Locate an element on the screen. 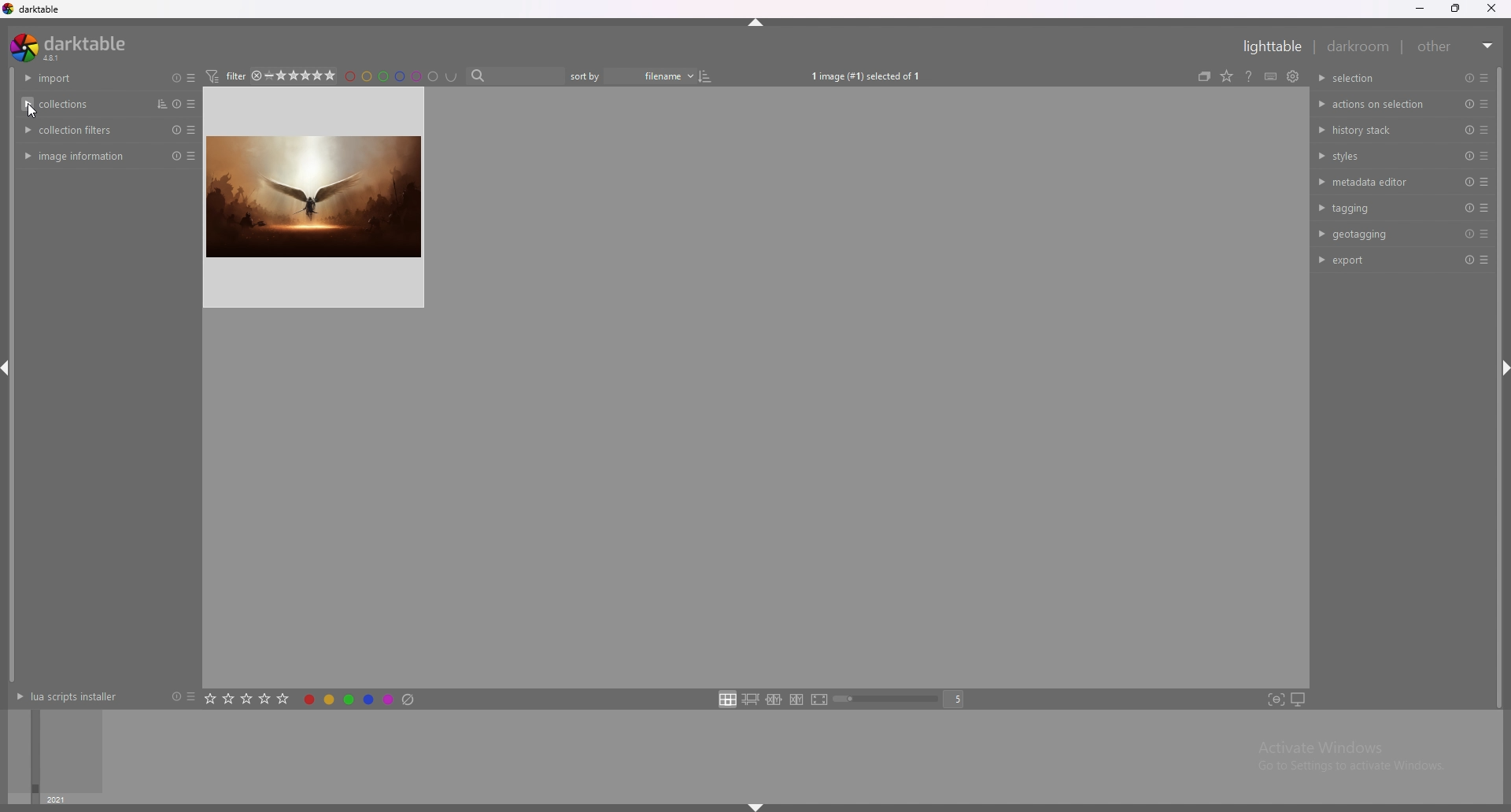 The width and height of the screenshot is (1511, 812). toggle is located at coordinates (716, 76).